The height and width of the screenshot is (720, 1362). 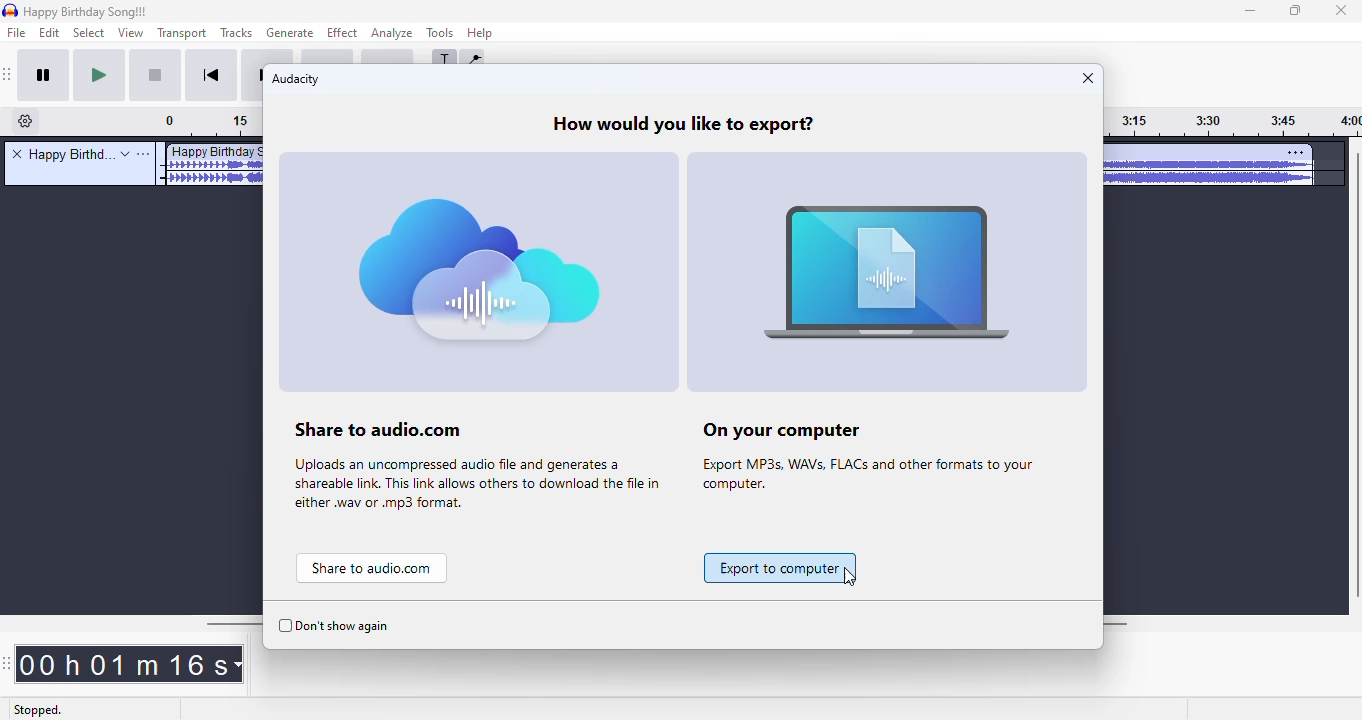 What do you see at coordinates (1251, 12) in the screenshot?
I see `minimize` at bounding box center [1251, 12].